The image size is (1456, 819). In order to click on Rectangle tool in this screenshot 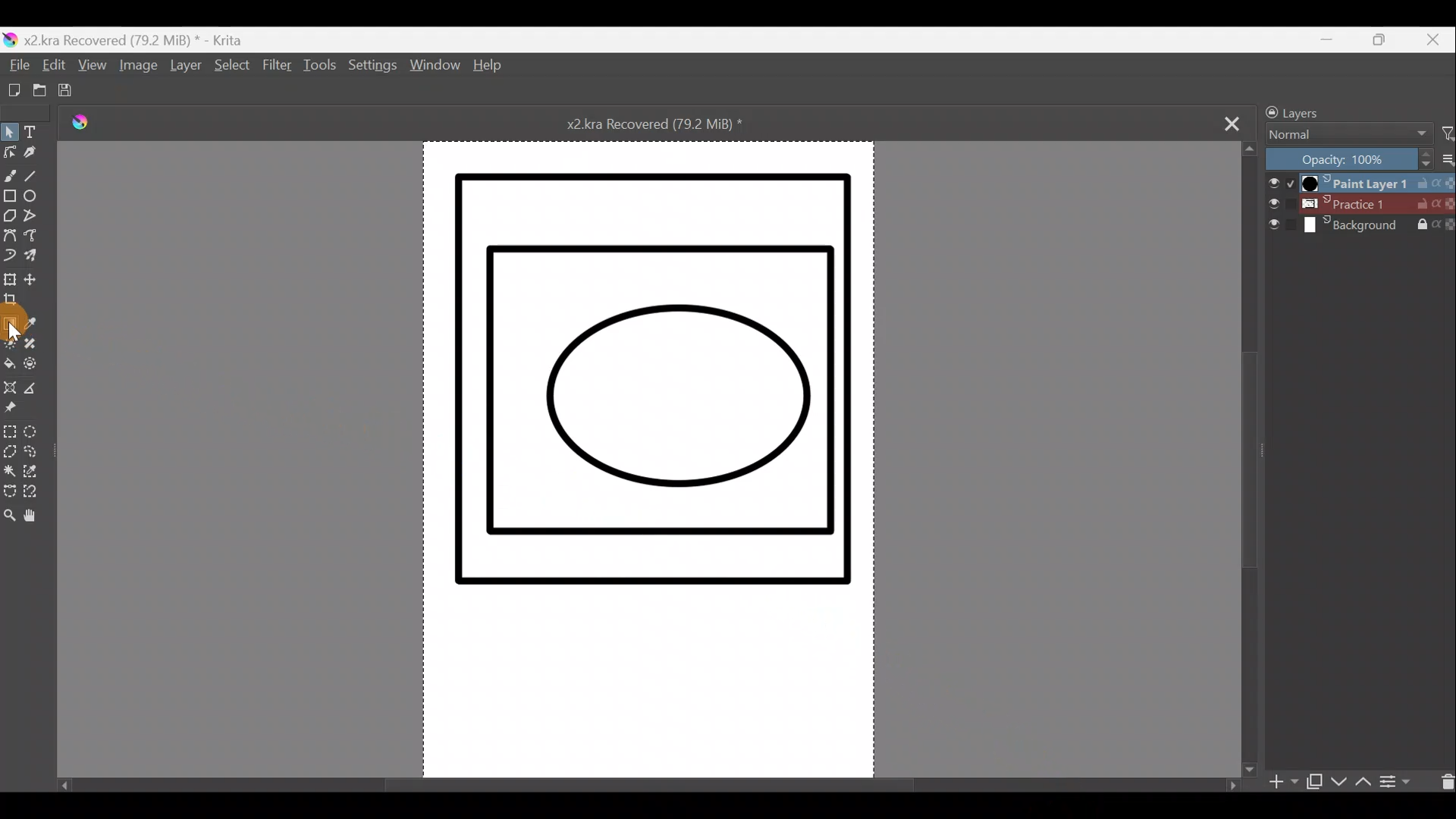, I will do `click(9, 198)`.